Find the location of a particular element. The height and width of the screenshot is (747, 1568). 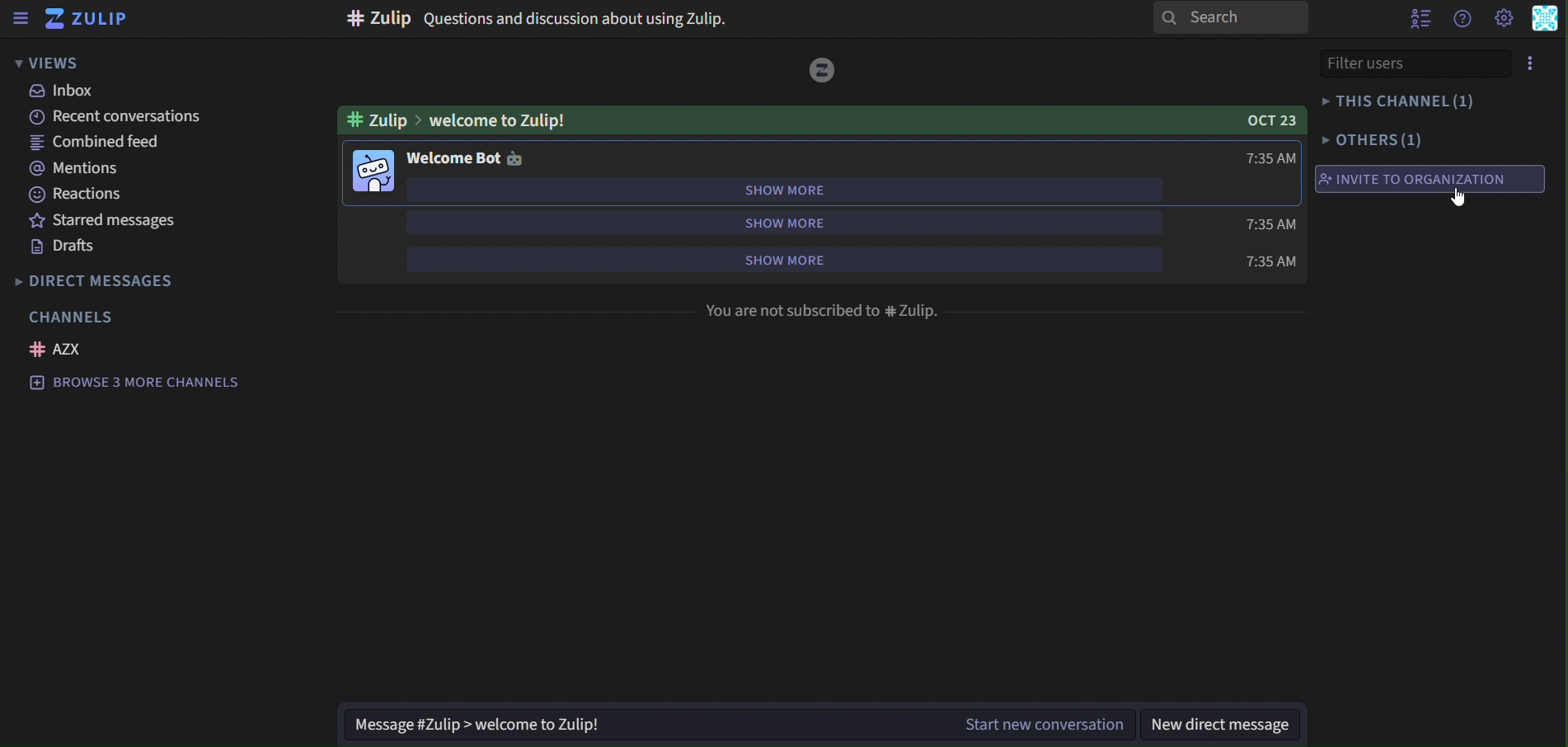

new direct message is located at coordinates (1223, 725).